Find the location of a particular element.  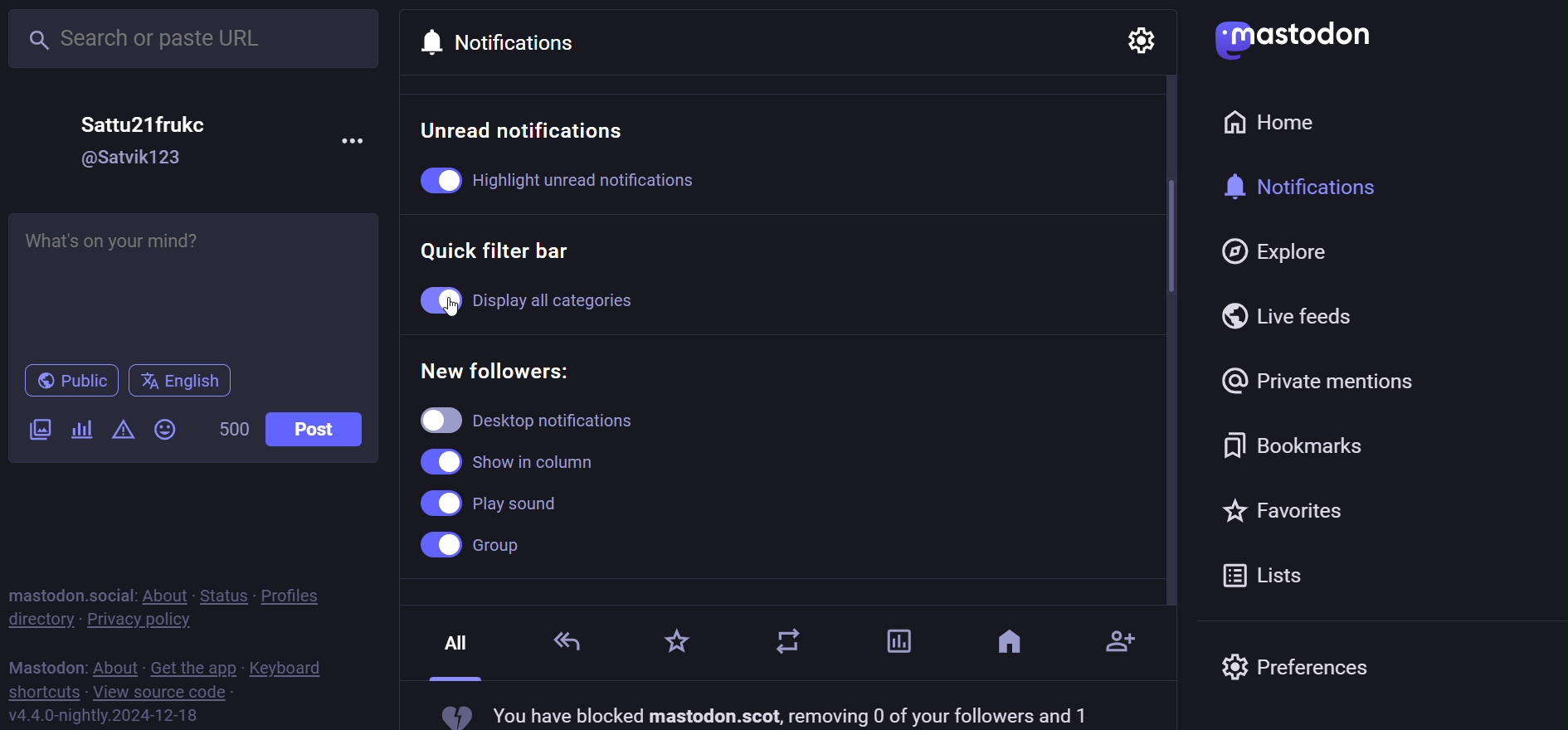

notification is located at coordinates (512, 37).